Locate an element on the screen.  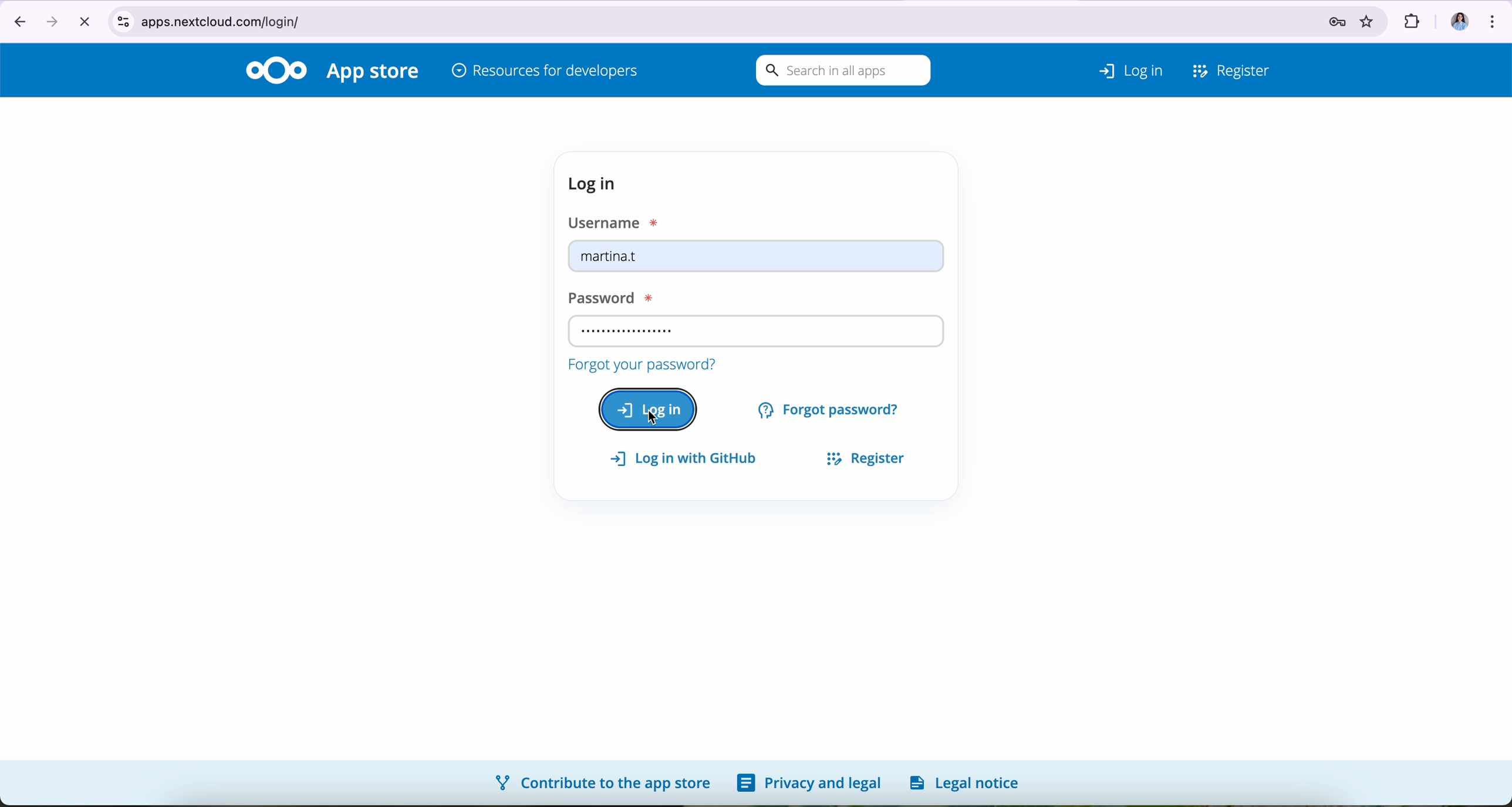
favorites is located at coordinates (1370, 18).